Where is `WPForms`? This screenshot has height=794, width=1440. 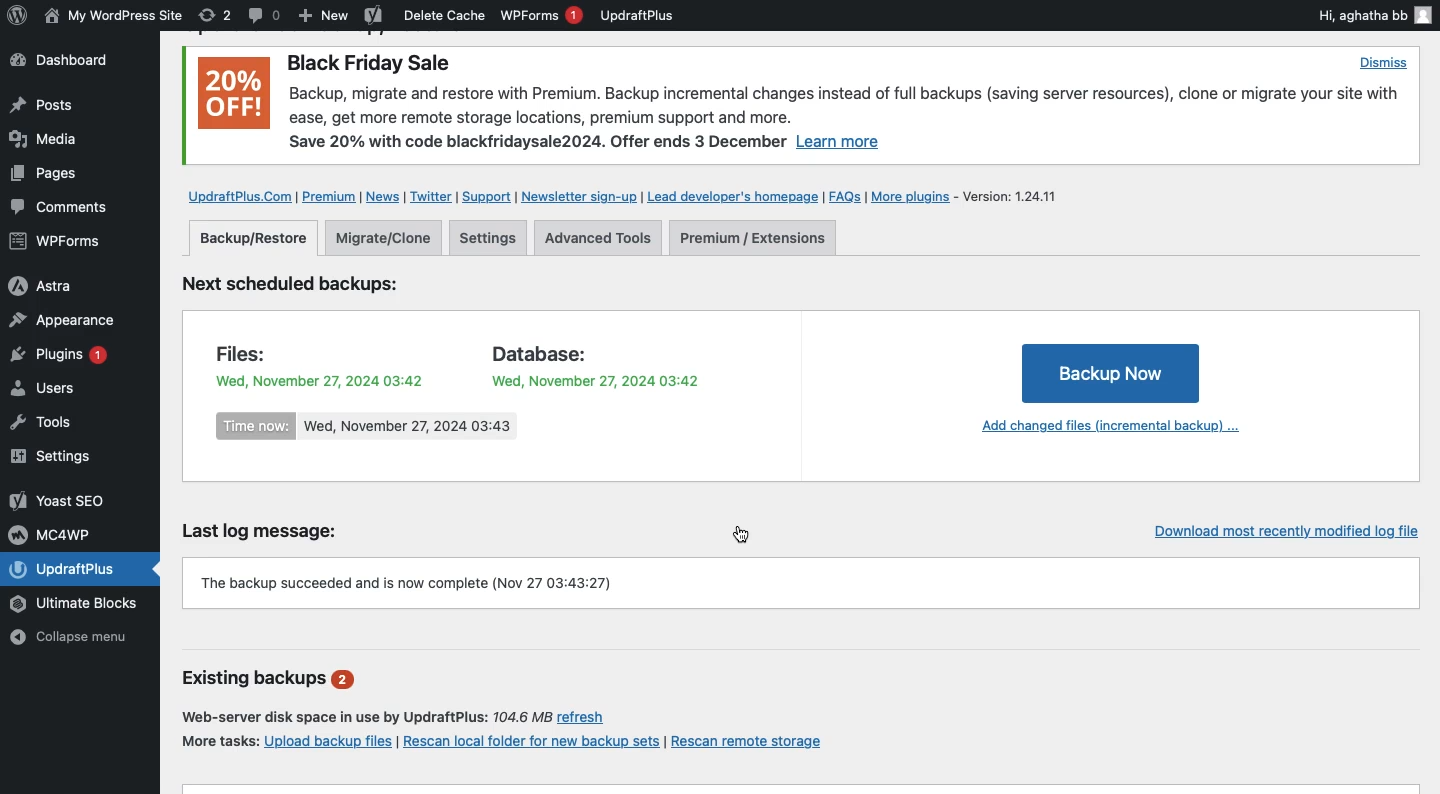 WPForms is located at coordinates (58, 243).